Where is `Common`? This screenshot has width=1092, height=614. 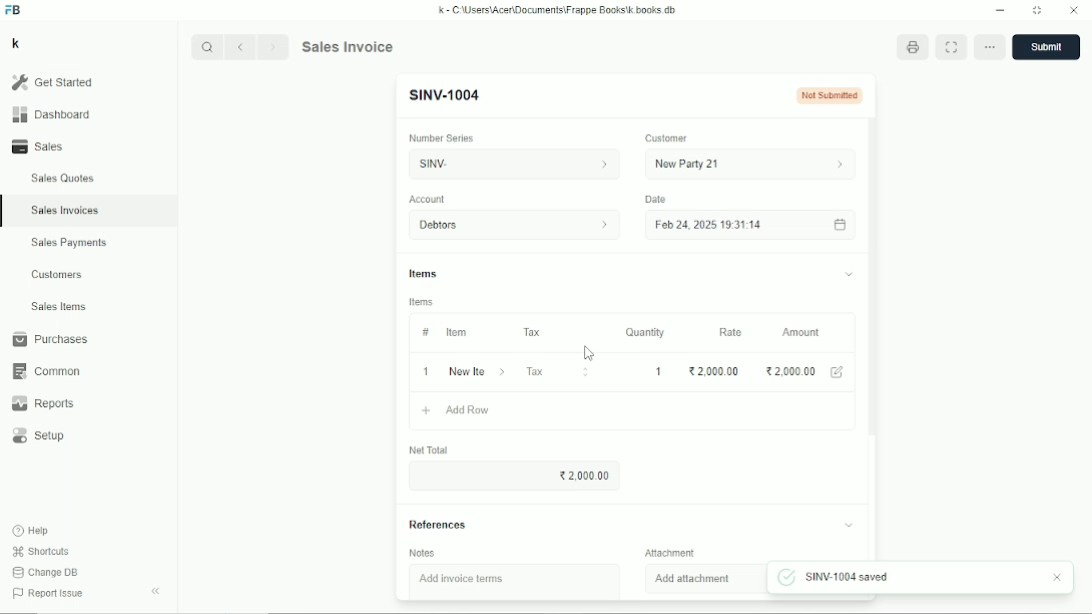
Common is located at coordinates (44, 371).